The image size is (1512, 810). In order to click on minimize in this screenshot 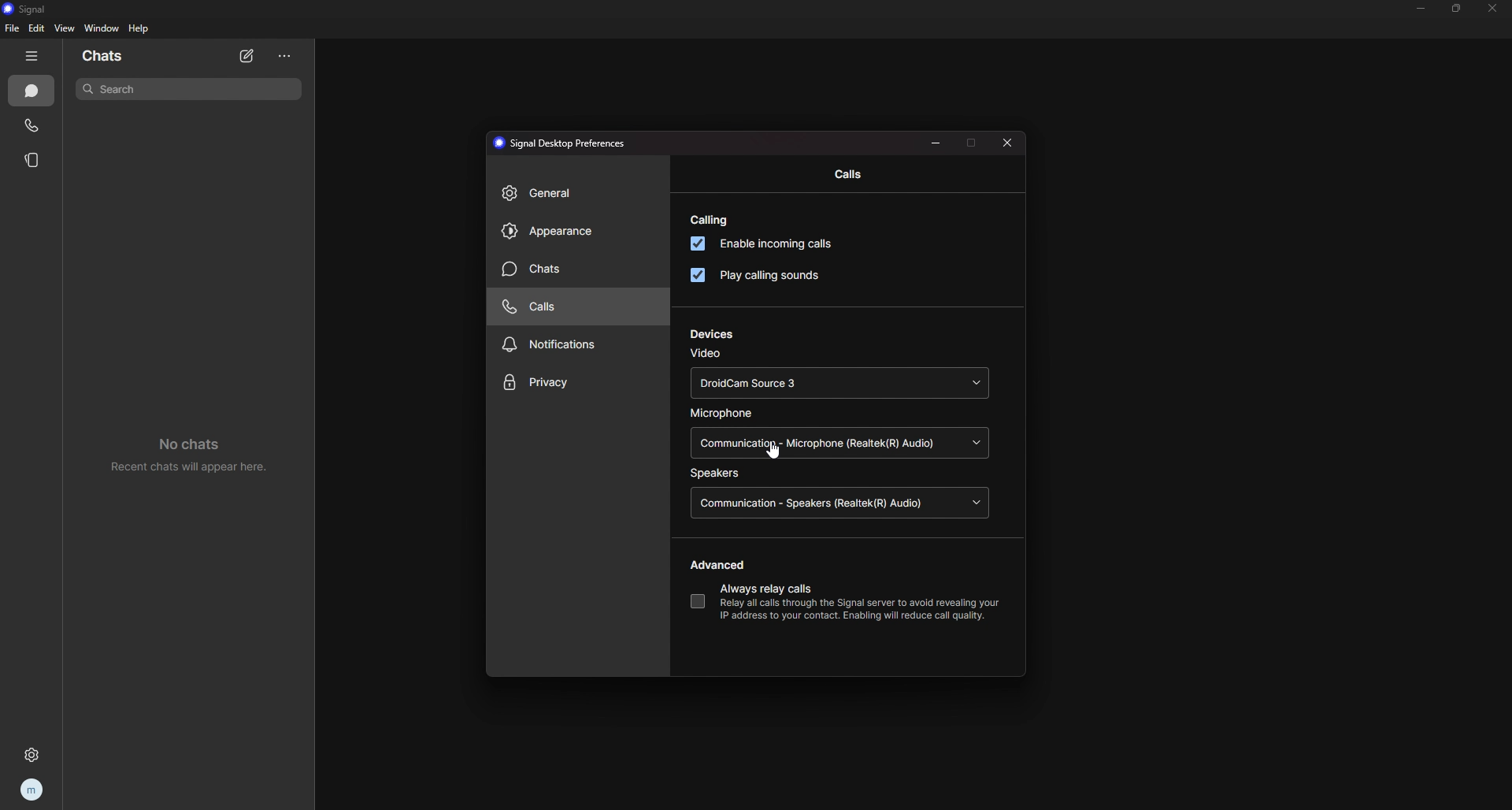, I will do `click(1421, 8)`.